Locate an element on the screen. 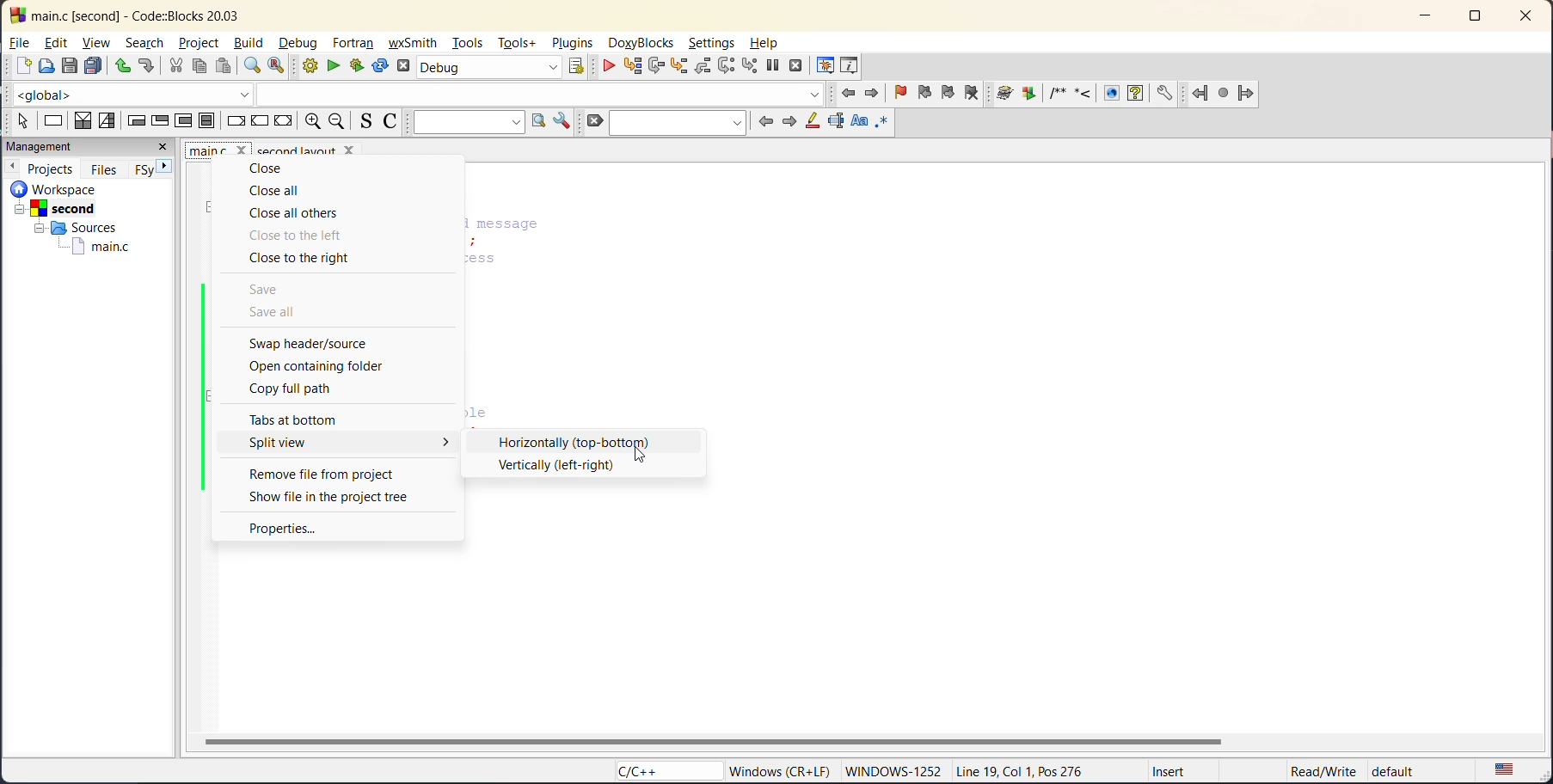  close is located at coordinates (1527, 18).